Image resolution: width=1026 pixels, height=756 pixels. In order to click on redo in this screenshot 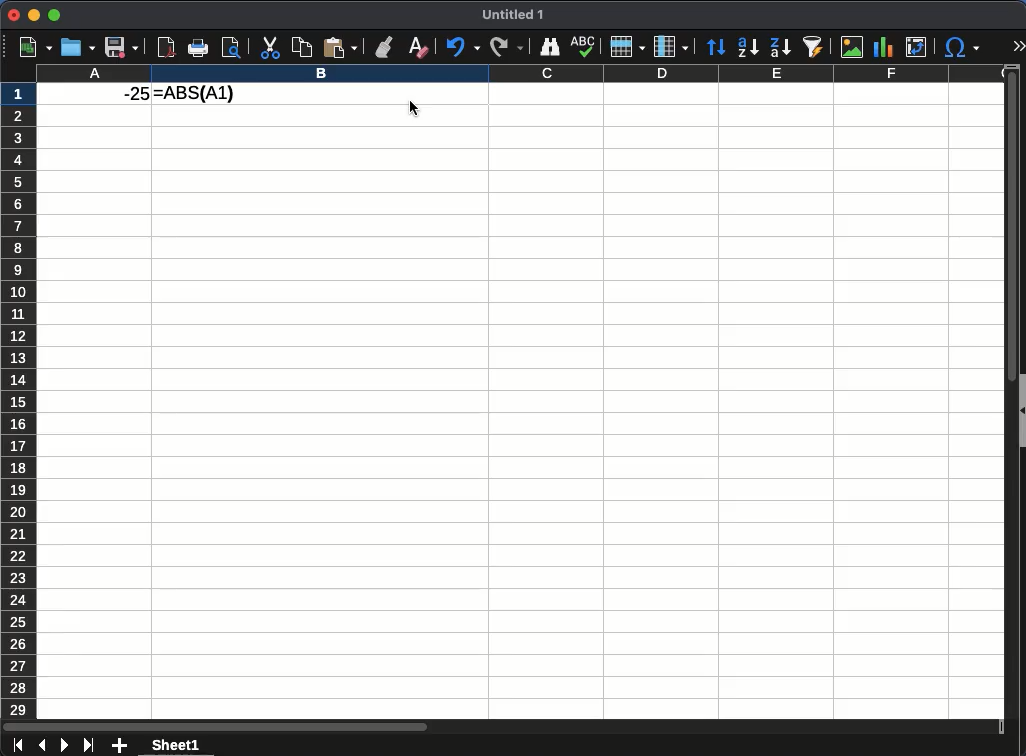, I will do `click(505, 48)`.